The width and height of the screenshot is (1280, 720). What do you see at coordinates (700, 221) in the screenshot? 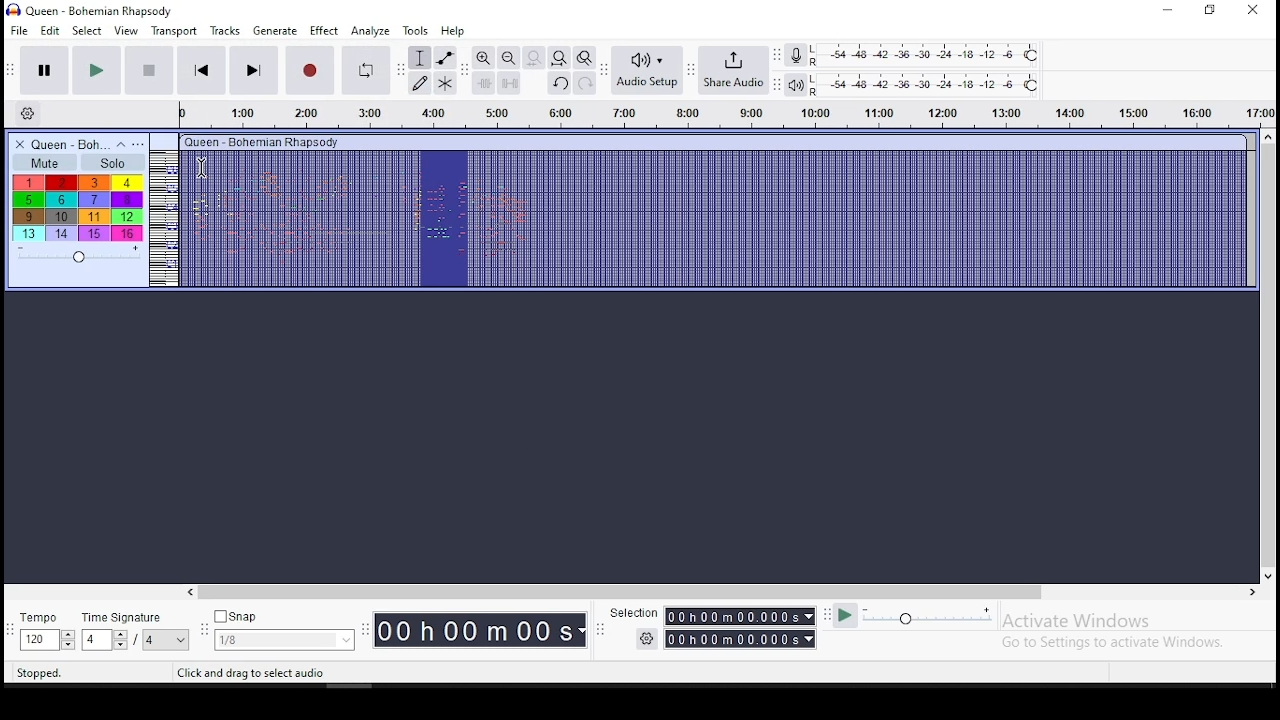
I see `midi track` at bounding box center [700, 221].